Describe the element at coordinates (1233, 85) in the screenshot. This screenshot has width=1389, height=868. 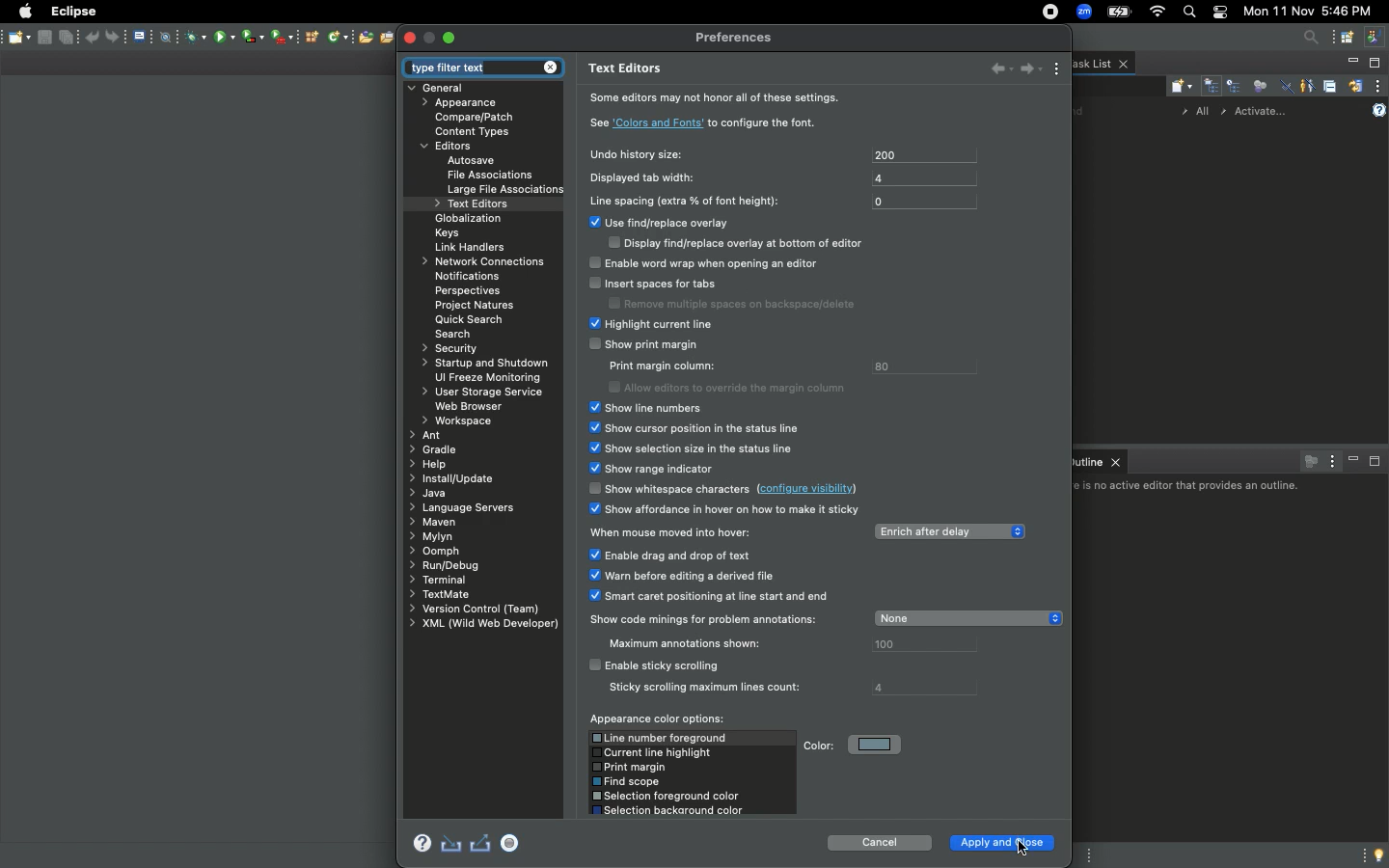
I see `Scheduled` at that location.